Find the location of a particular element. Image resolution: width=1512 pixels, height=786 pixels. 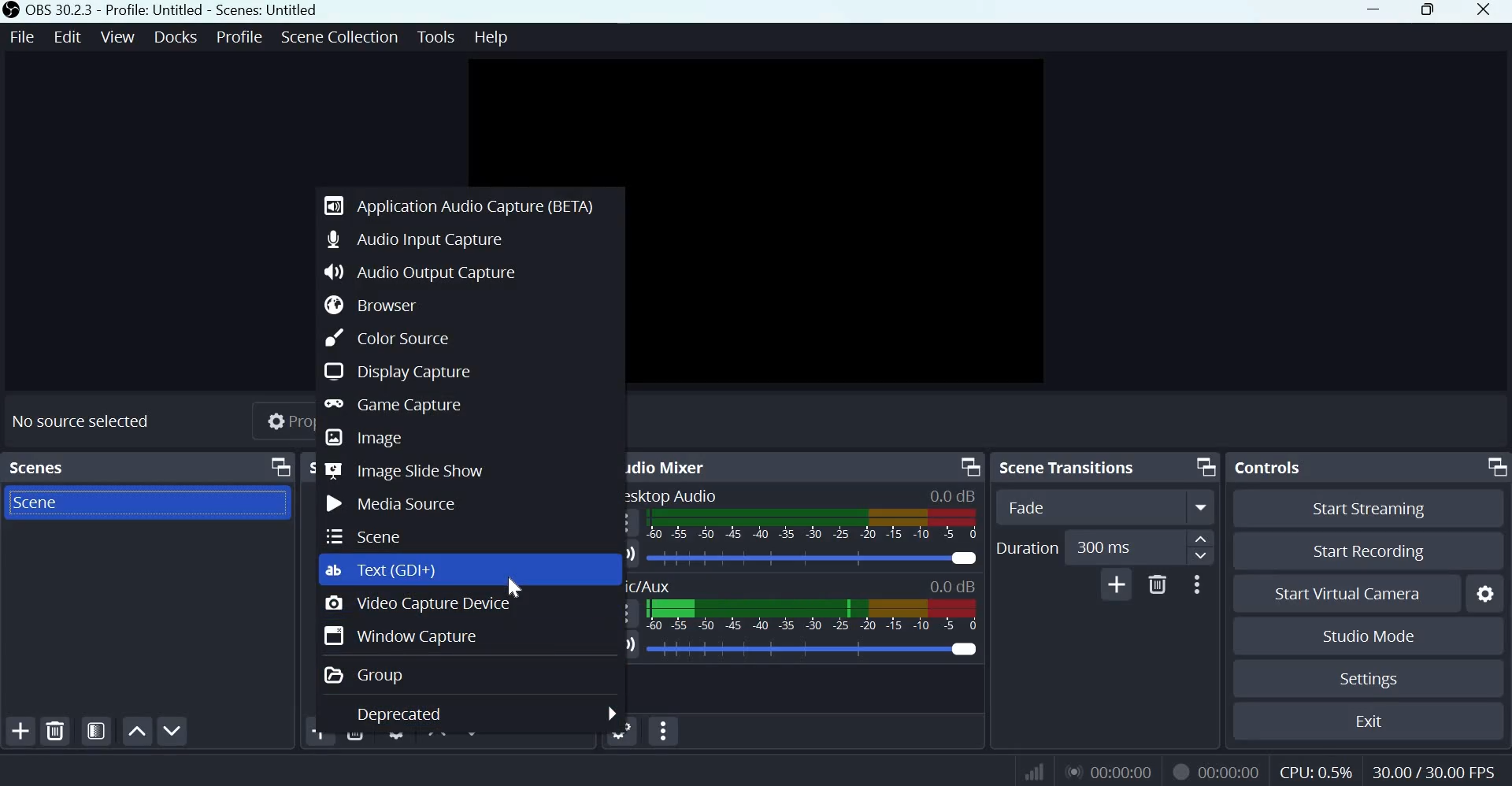

Start streaming is located at coordinates (1369, 509).